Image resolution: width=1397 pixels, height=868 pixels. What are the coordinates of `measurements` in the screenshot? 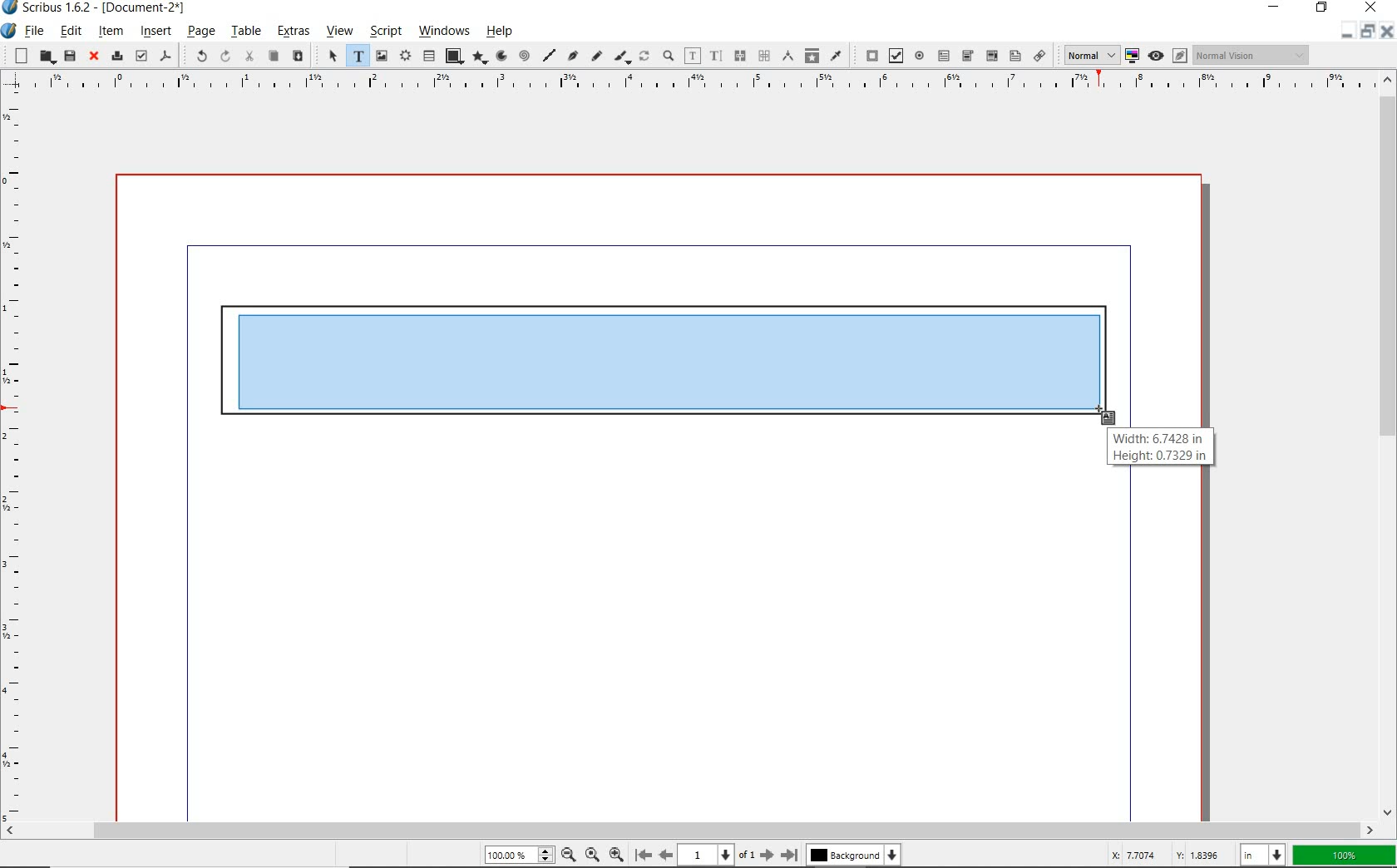 It's located at (763, 57).